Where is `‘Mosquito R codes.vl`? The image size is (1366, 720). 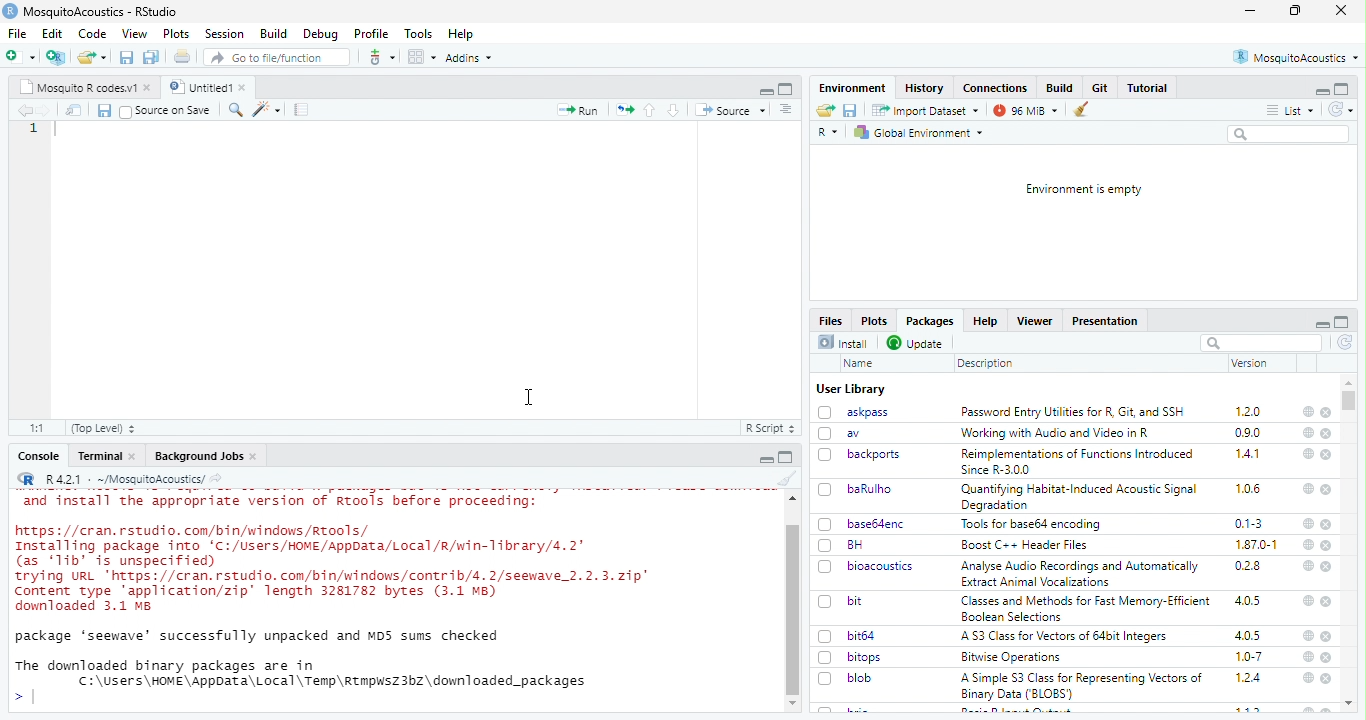
‘Mosquito R codes.vl is located at coordinates (77, 87).